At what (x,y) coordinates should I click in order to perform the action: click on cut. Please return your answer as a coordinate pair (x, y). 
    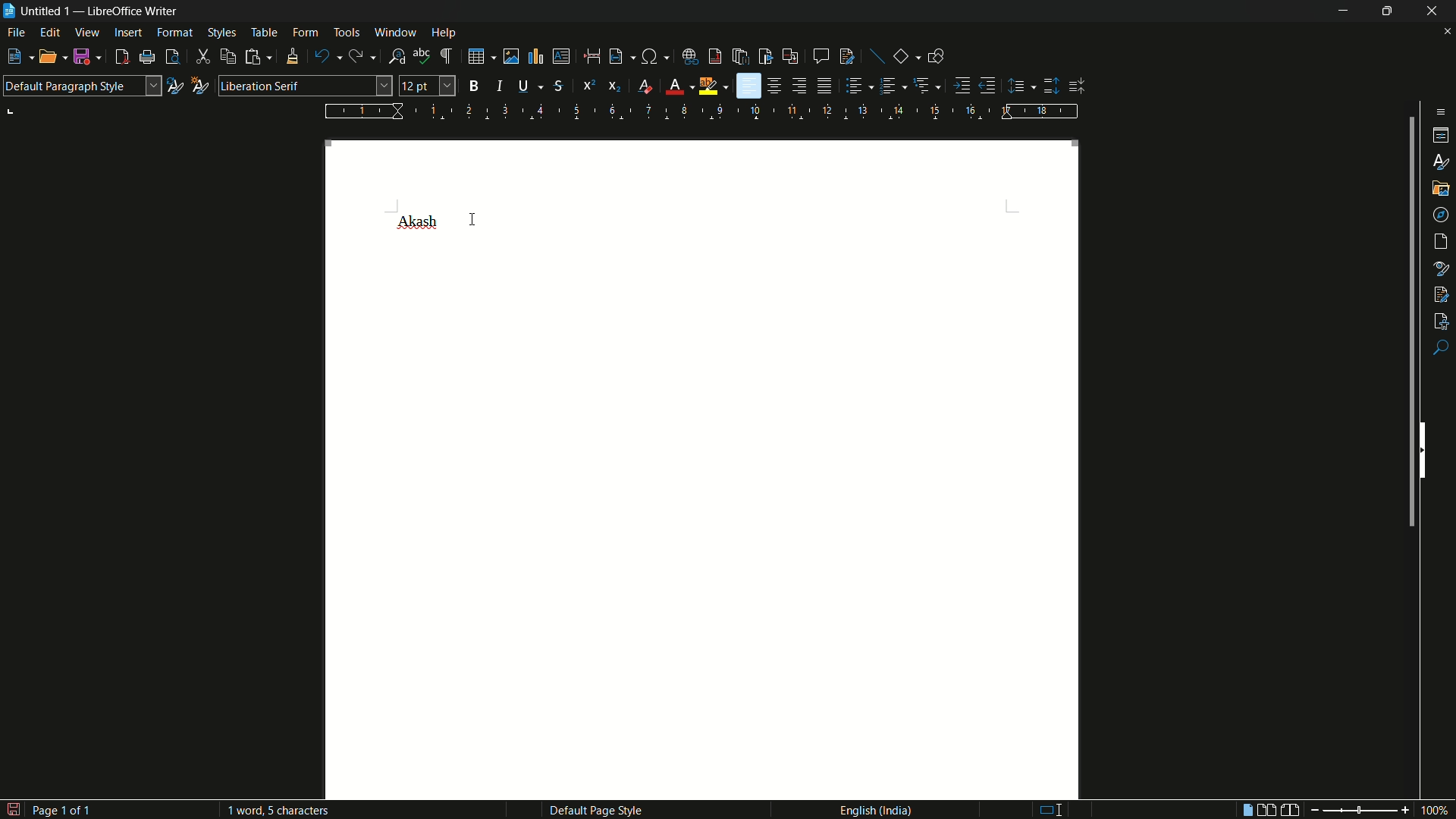
    Looking at the image, I should click on (203, 58).